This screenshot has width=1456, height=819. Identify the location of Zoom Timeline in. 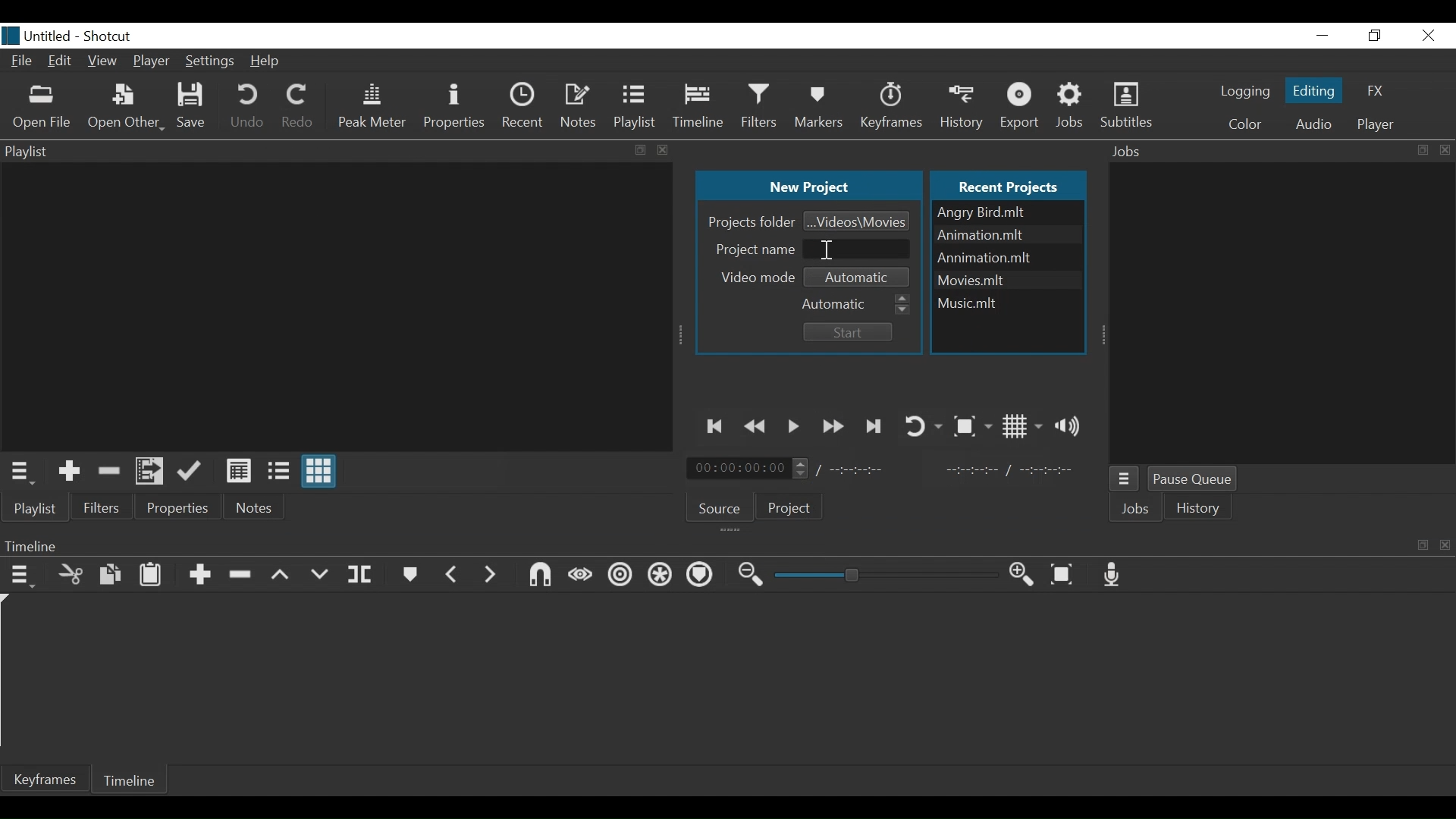
(1021, 575).